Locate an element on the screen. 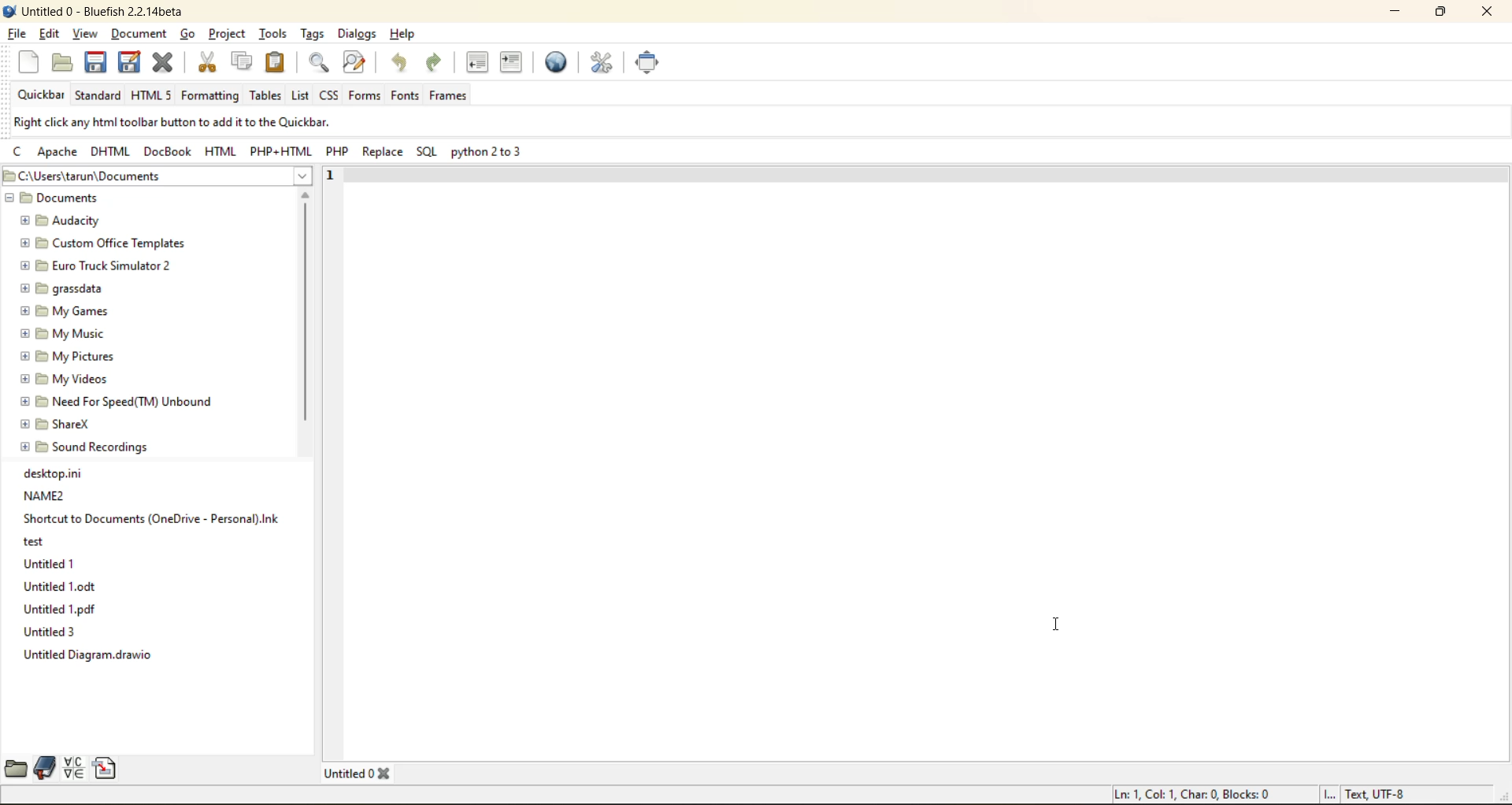 The height and width of the screenshot is (805, 1512). file location is located at coordinates (156, 177).